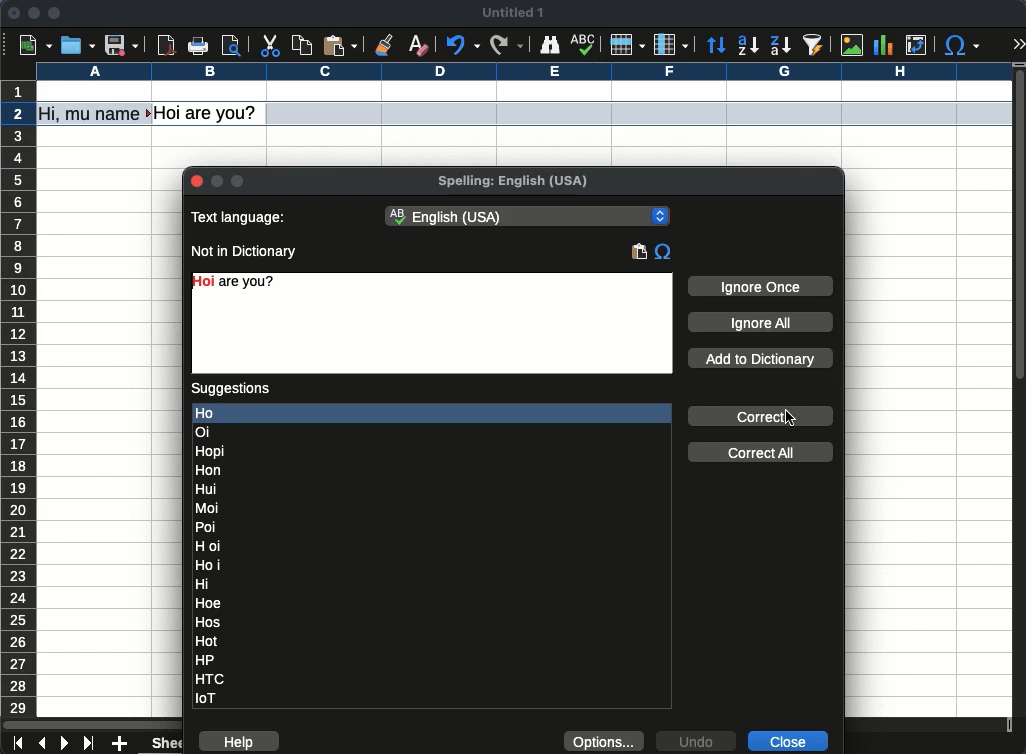 This screenshot has height=754, width=1026. What do you see at coordinates (13, 13) in the screenshot?
I see `close` at bounding box center [13, 13].